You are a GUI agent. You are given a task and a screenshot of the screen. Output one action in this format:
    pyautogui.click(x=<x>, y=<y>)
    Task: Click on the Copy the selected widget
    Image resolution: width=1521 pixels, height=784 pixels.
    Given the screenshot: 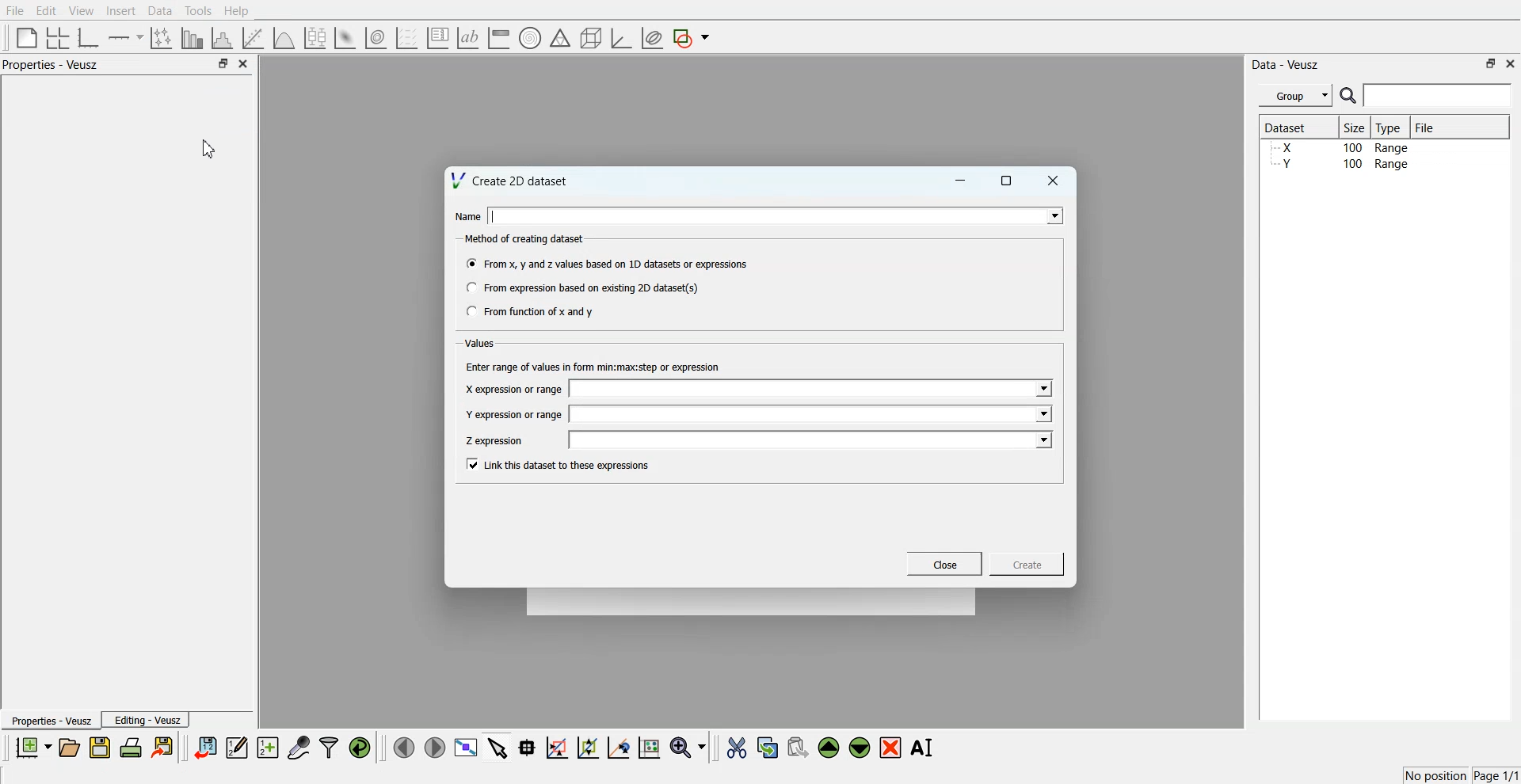 What is the action you would take?
    pyautogui.click(x=768, y=747)
    